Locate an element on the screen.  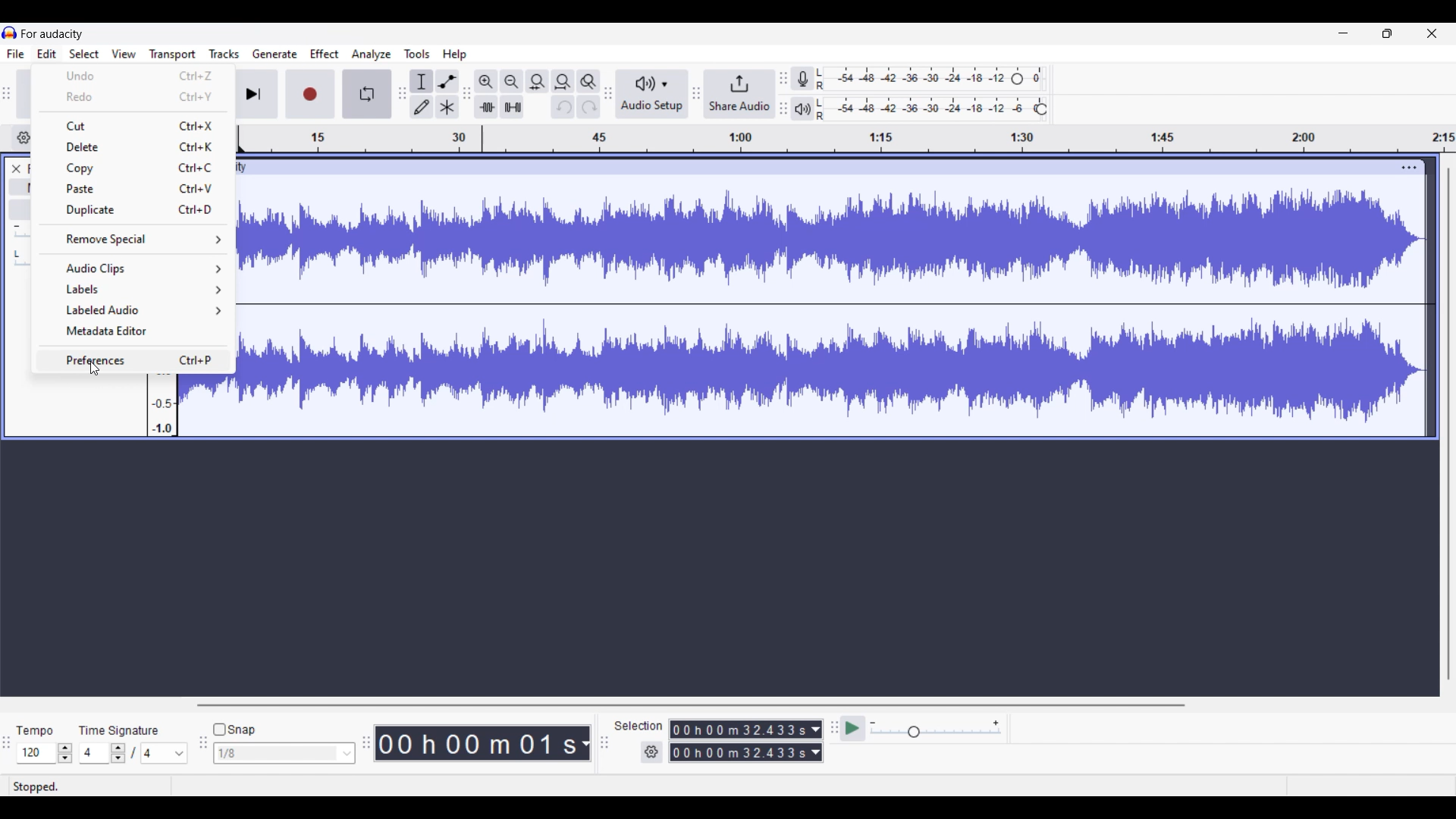
Settings is located at coordinates (652, 752).